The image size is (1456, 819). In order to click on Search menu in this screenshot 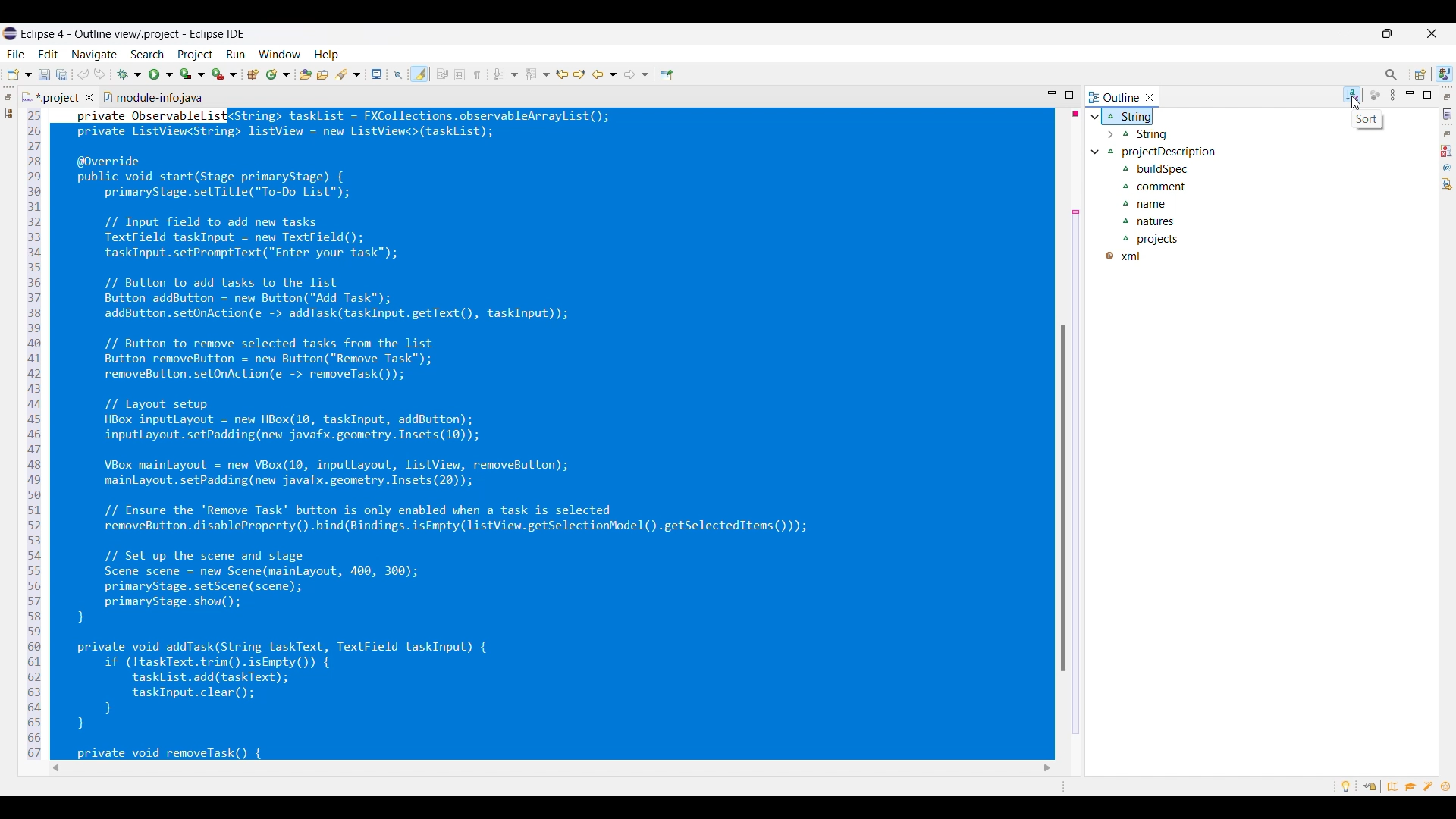, I will do `click(148, 55)`.